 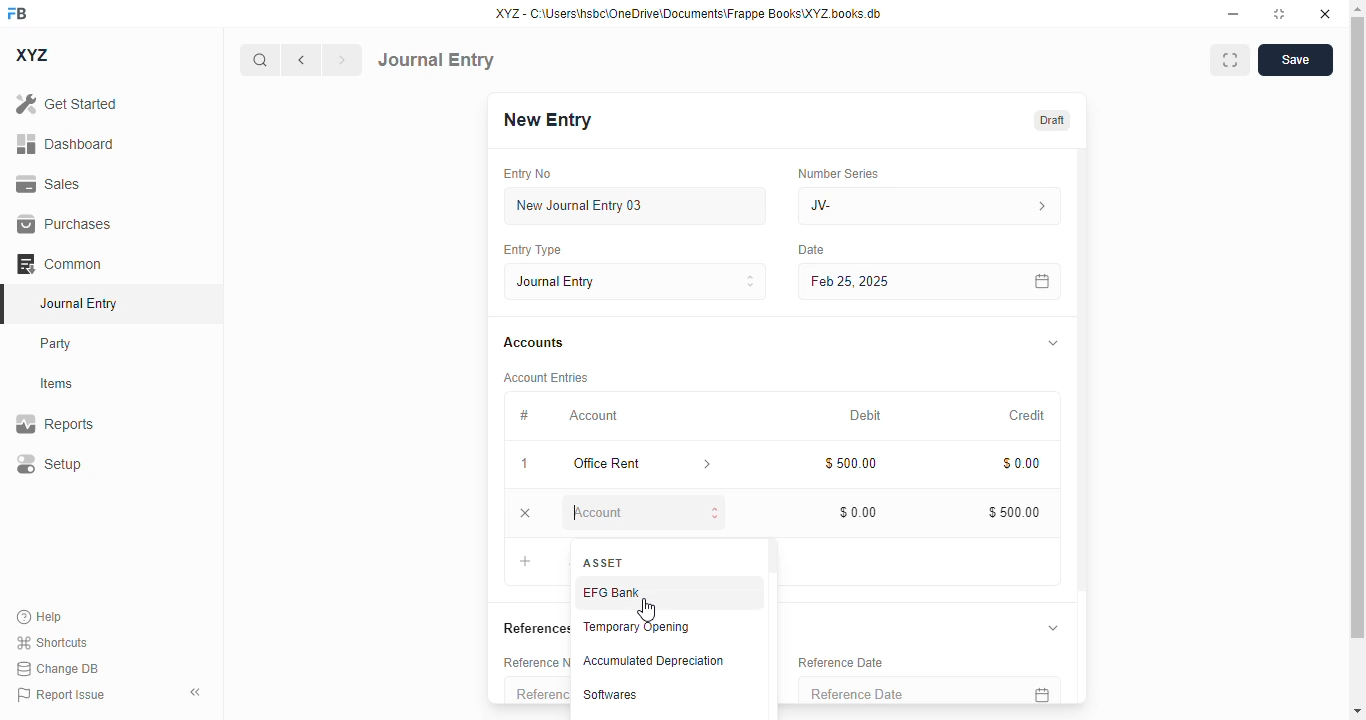 What do you see at coordinates (51, 642) in the screenshot?
I see `shortcuts` at bounding box center [51, 642].